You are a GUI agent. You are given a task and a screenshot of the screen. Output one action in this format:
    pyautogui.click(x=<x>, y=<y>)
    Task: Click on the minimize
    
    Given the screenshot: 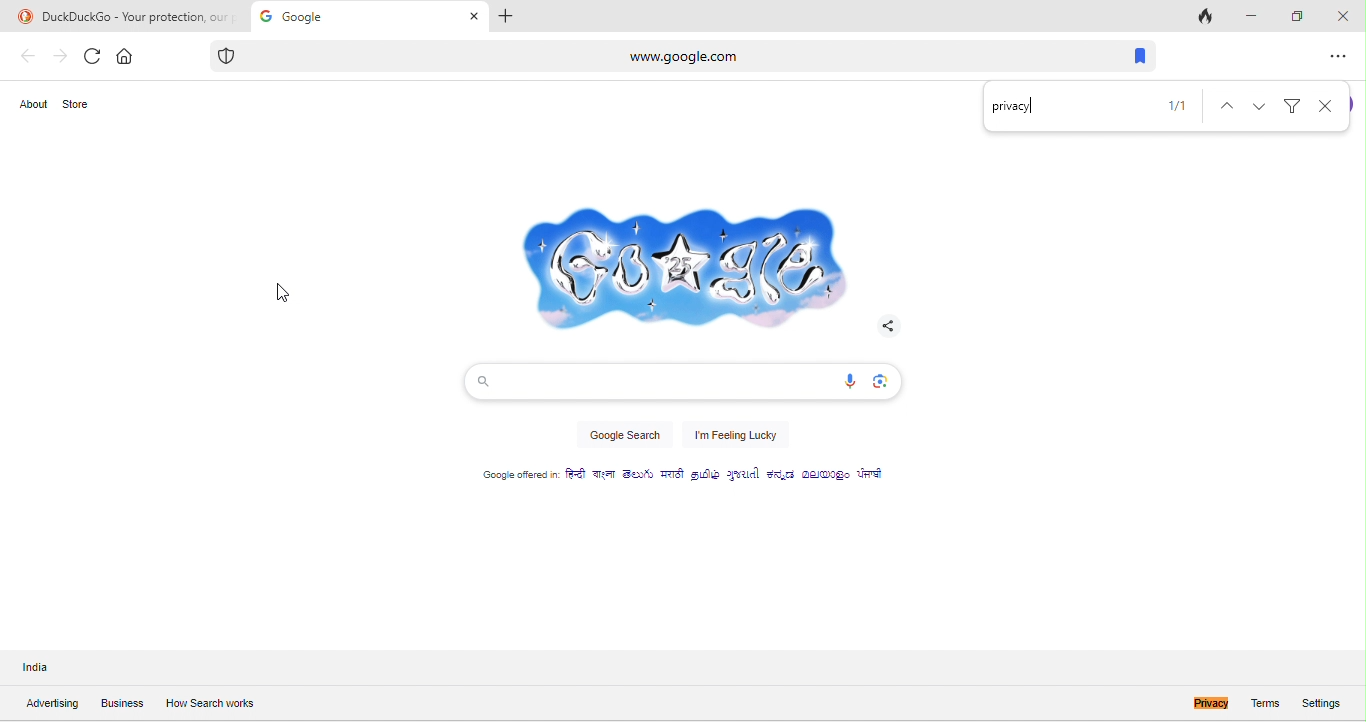 What is the action you would take?
    pyautogui.click(x=1248, y=16)
    